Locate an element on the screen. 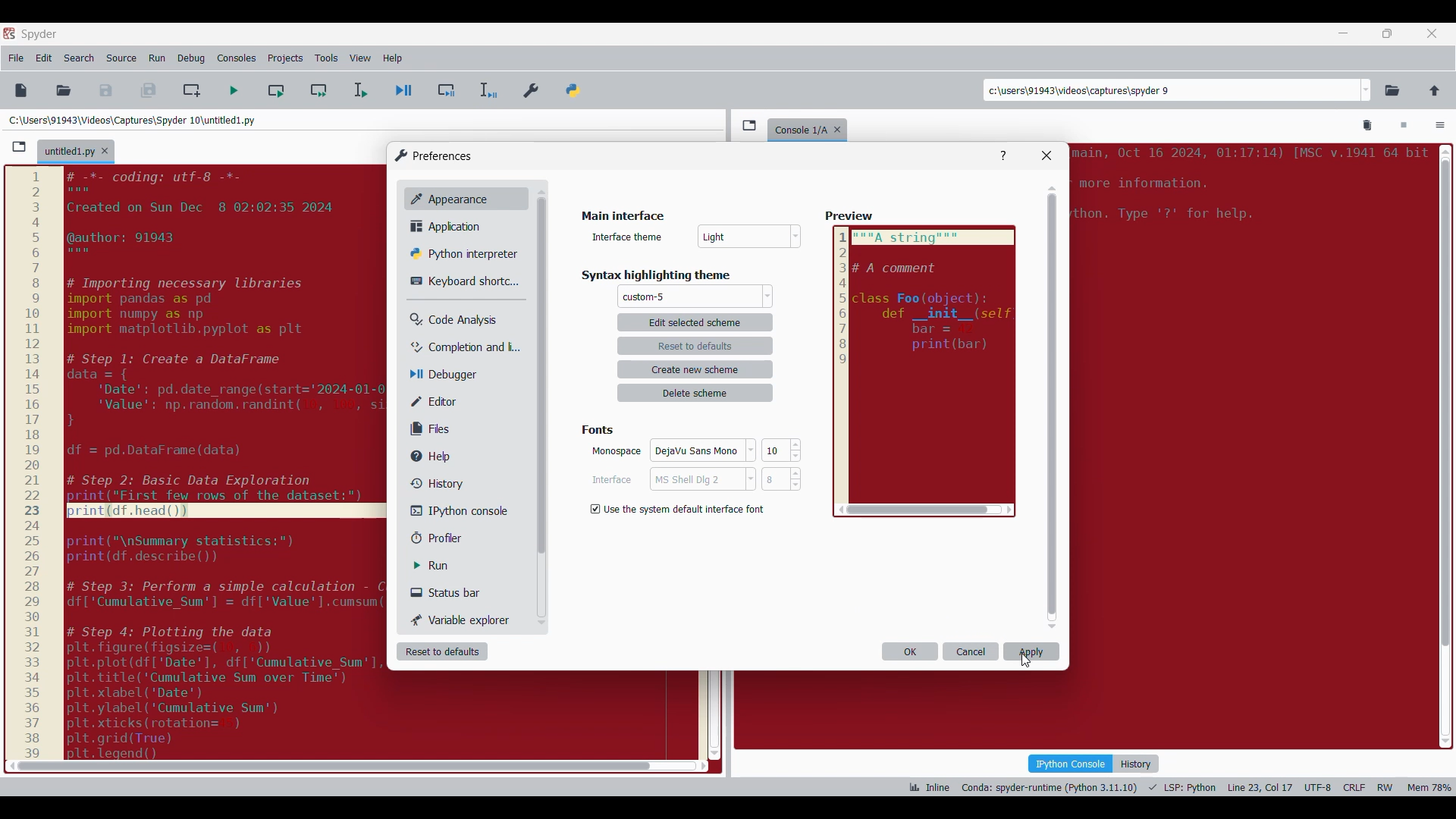  Setting options under Background is located at coordinates (681, 507).